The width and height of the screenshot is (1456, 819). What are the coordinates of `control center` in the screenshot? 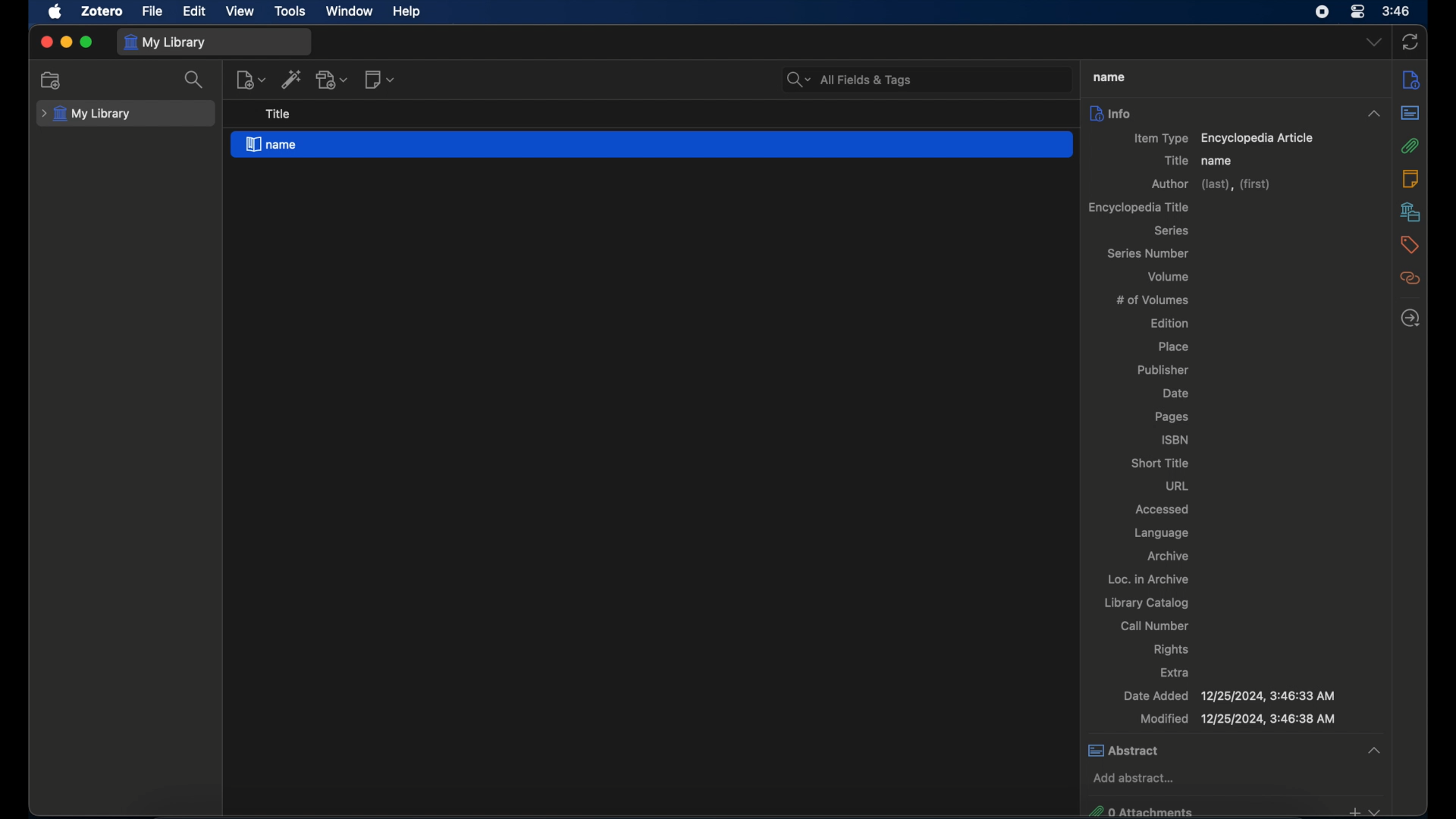 It's located at (1357, 12).